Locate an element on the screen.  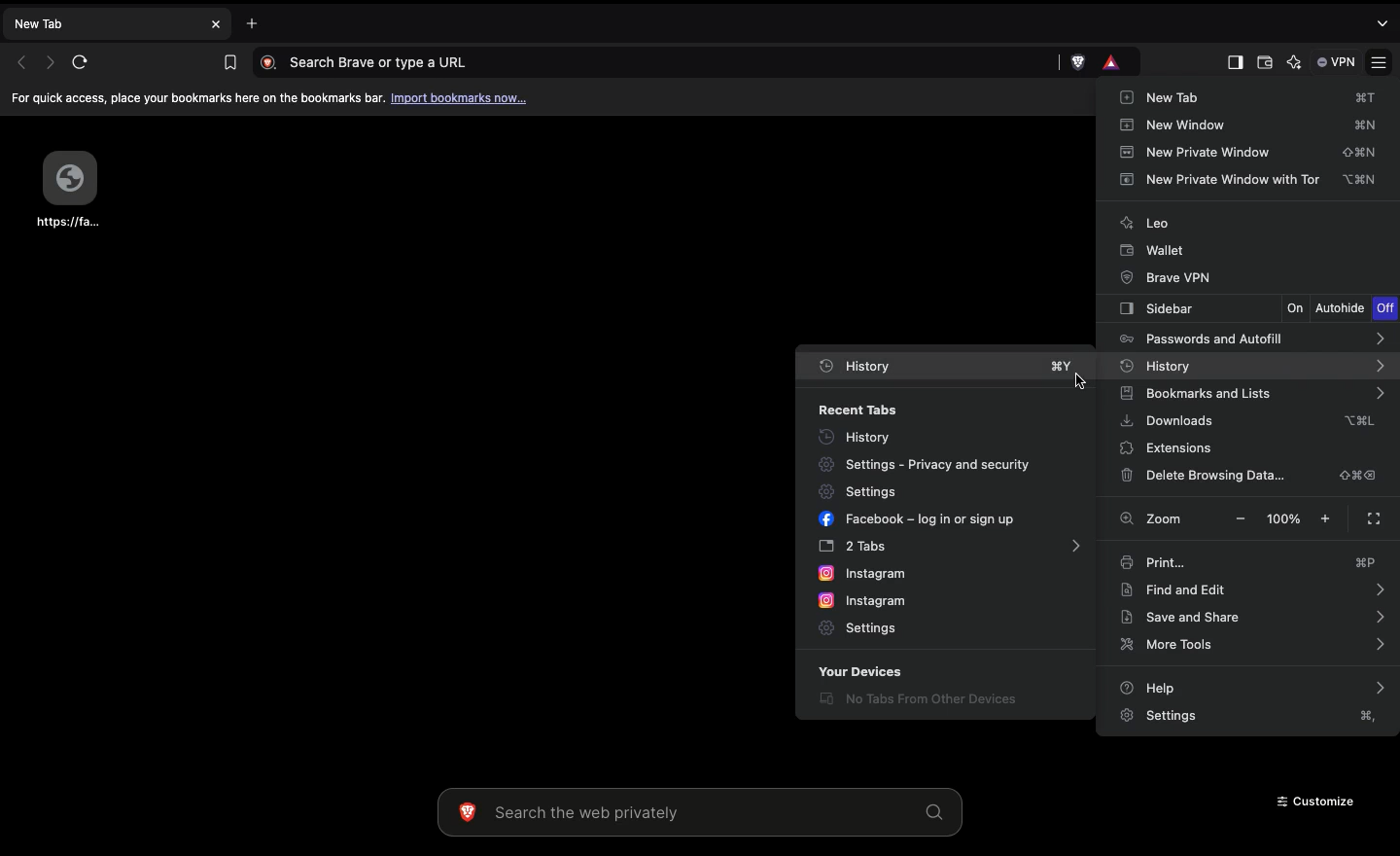
No tabs from other devices is located at coordinates (918, 702).